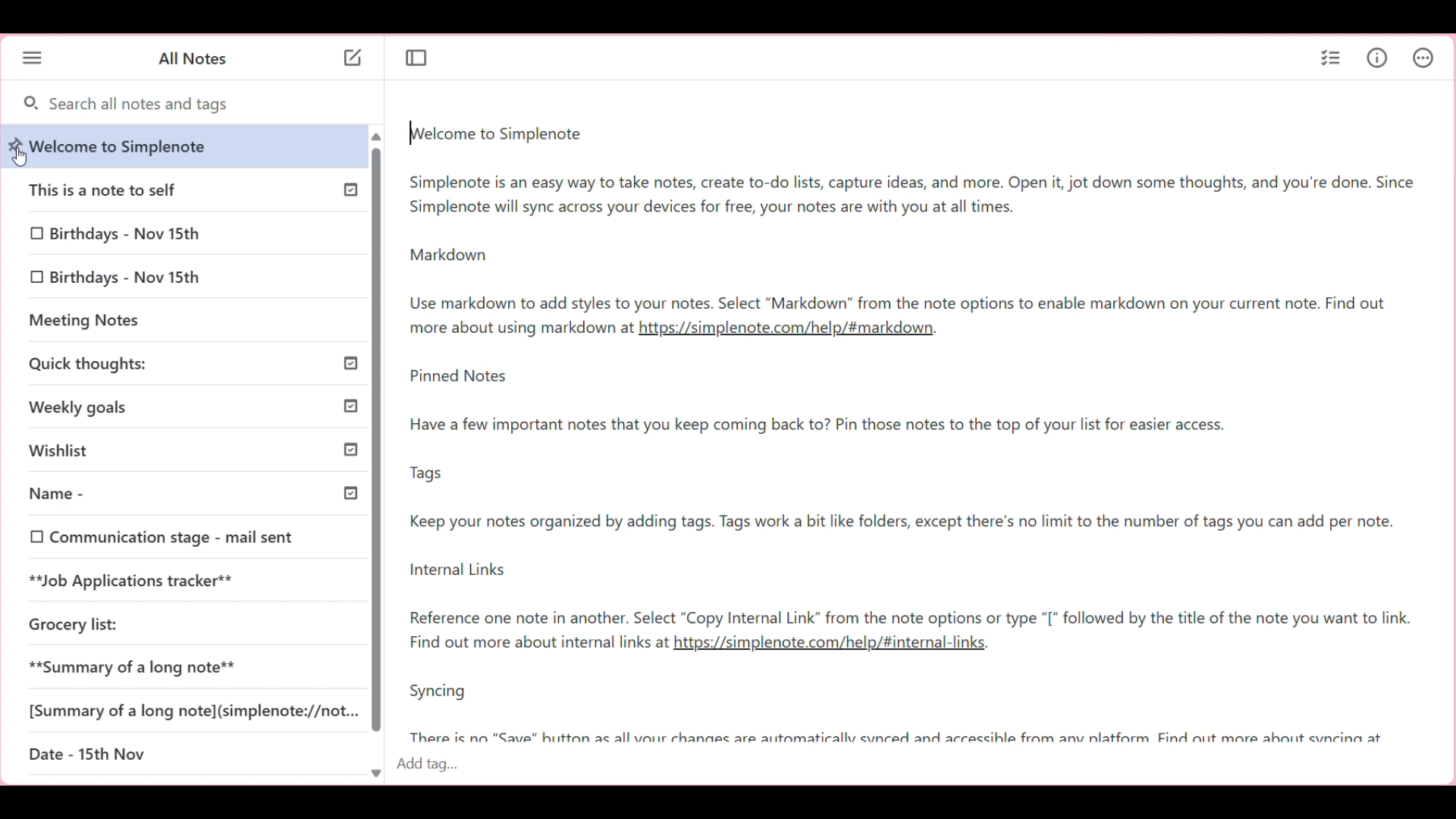  I want to click on Quick thoughts:, so click(143, 362).